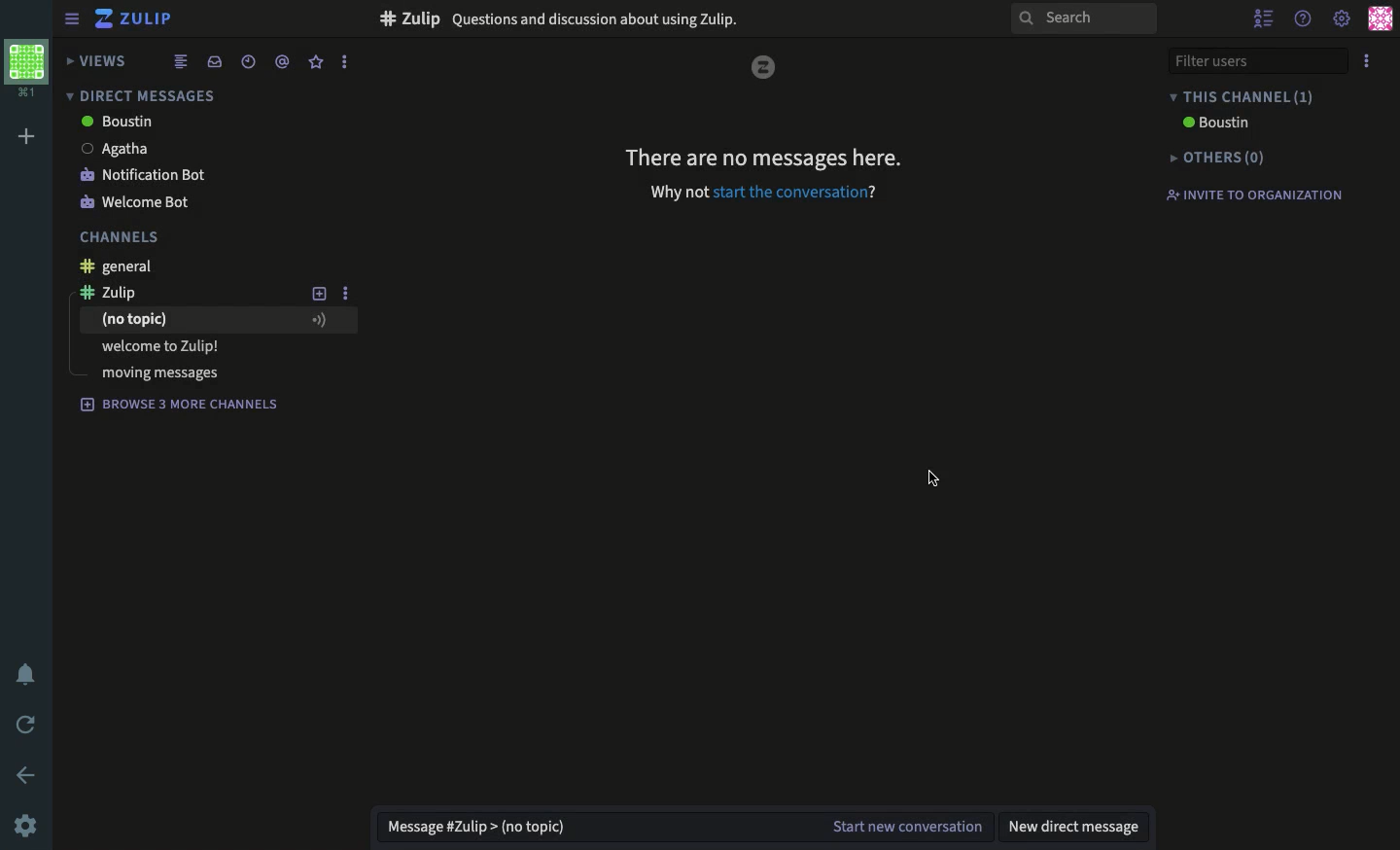  Describe the element at coordinates (904, 822) in the screenshot. I see `start new conversation` at that location.